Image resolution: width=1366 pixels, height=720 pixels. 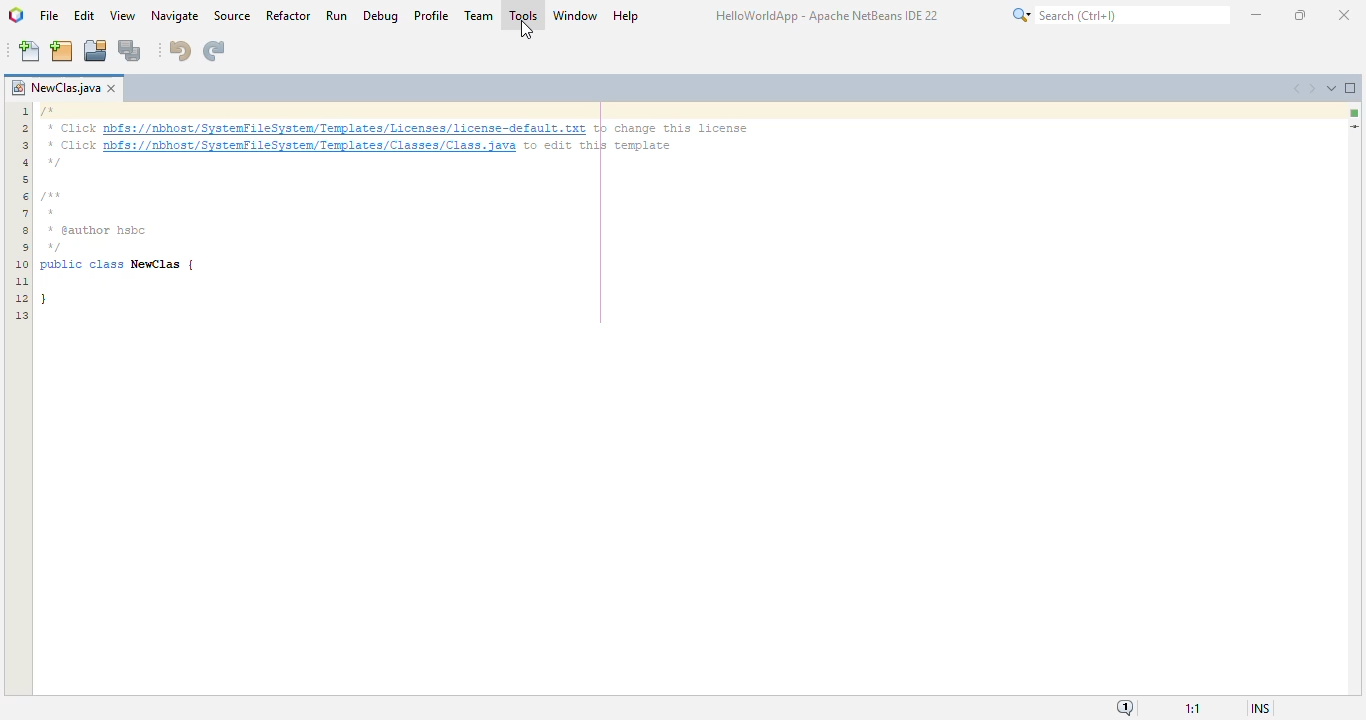 I want to click on profile, so click(x=432, y=15).